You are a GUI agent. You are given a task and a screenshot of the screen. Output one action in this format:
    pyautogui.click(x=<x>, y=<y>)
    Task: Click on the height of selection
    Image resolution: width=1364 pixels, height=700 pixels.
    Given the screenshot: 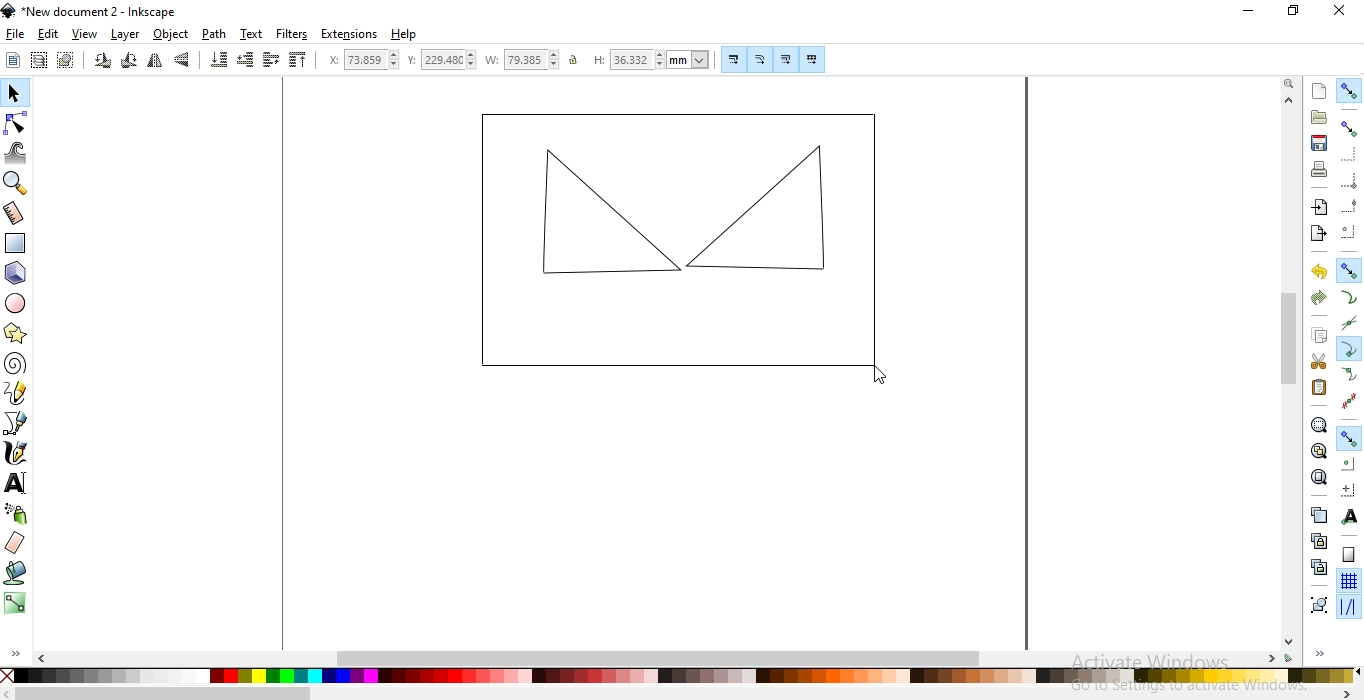 What is the action you would take?
    pyautogui.click(x=652, y=60)
    